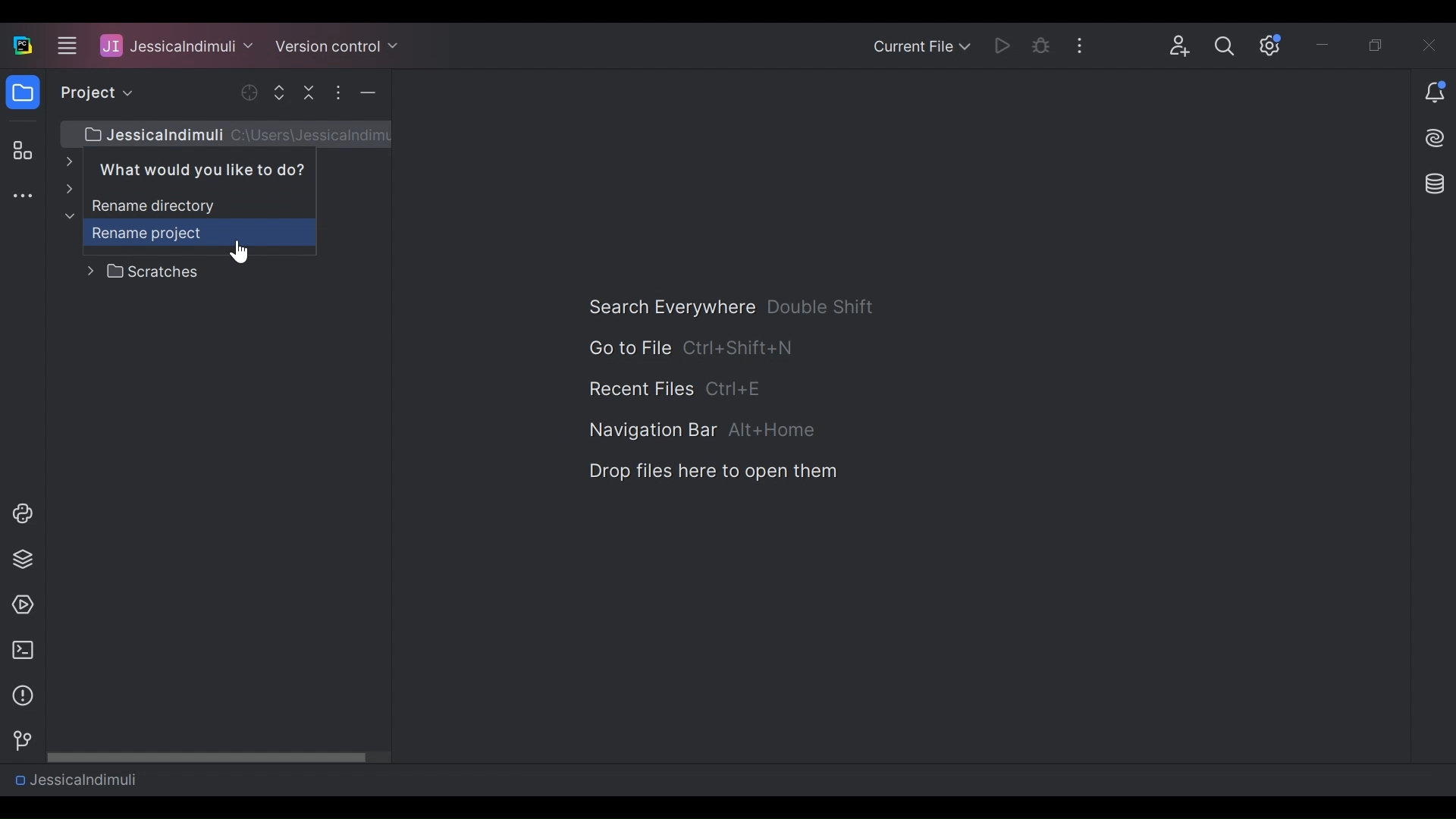 Image resolution: width=1456 pixels, height=819 pixels. I want to click on Navigation bar, so click(651, 431).